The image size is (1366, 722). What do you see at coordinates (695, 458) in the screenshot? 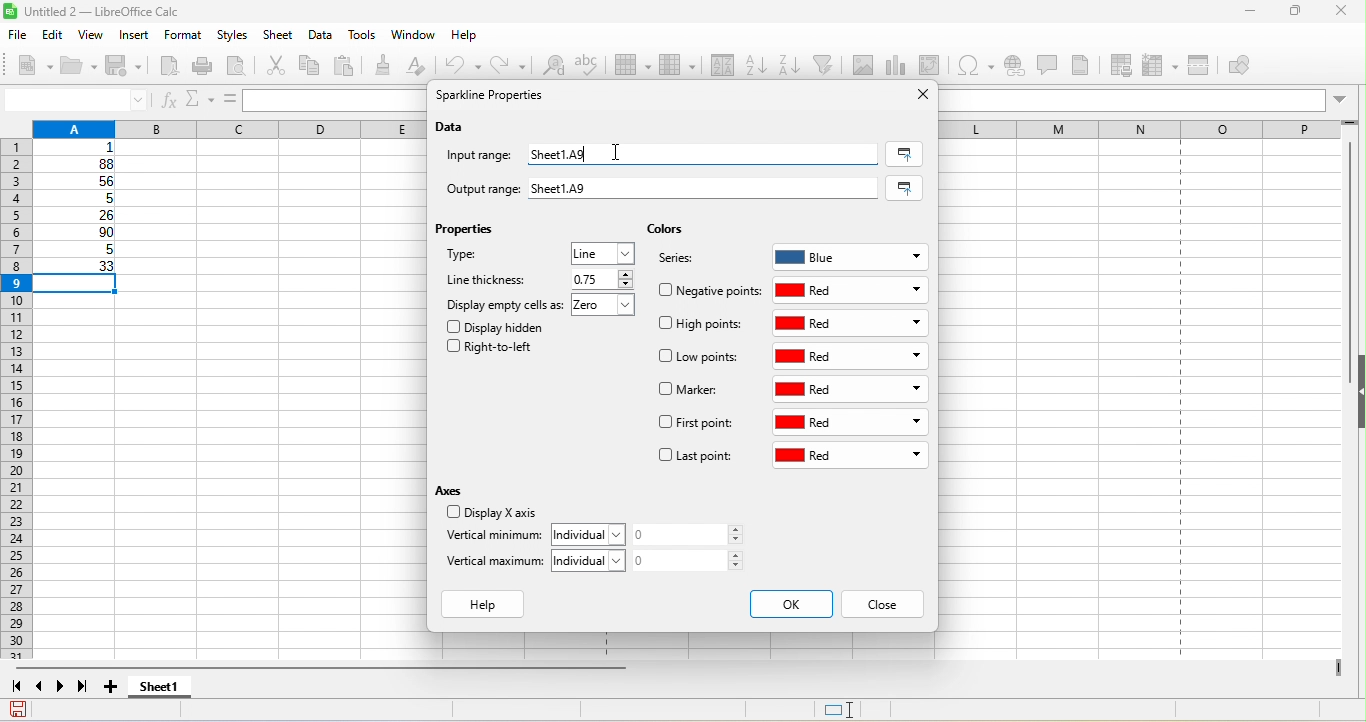
I see `last point` at bounding box center [695, 458].